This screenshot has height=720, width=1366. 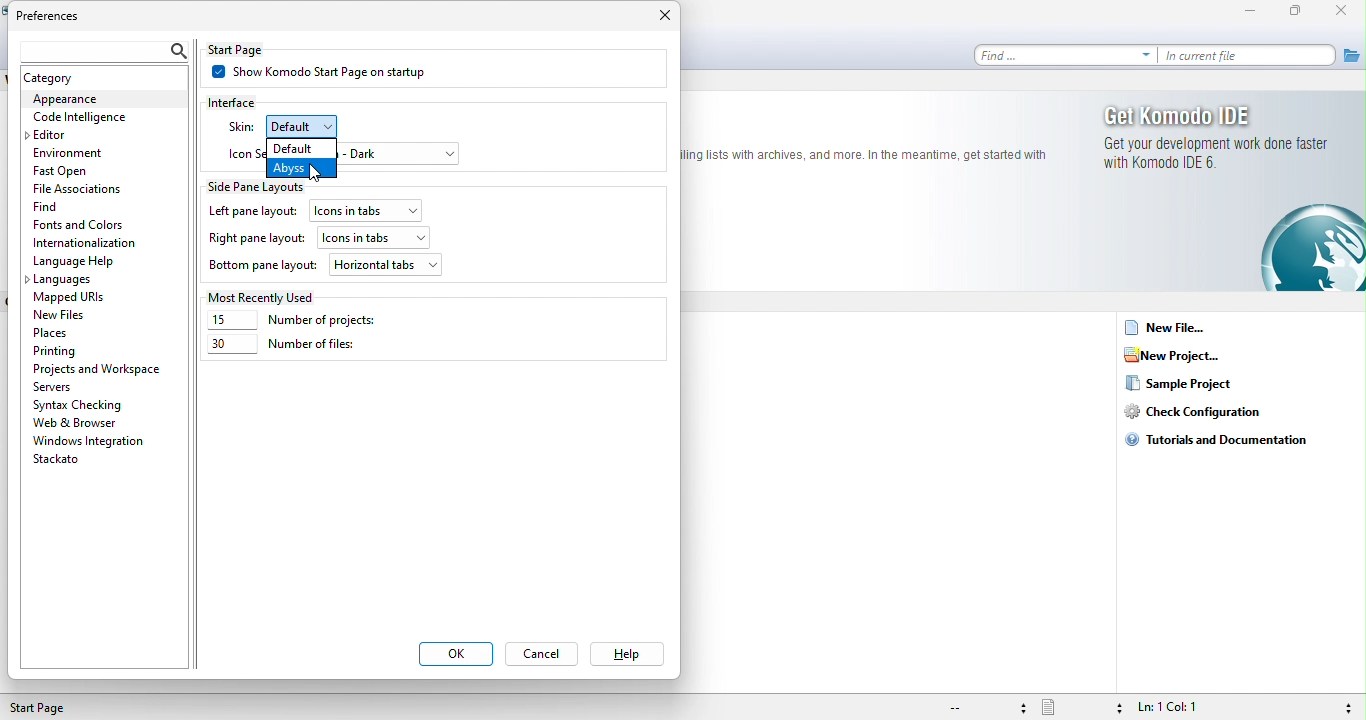 I want to click on cancel, so click(x=546, y=656).